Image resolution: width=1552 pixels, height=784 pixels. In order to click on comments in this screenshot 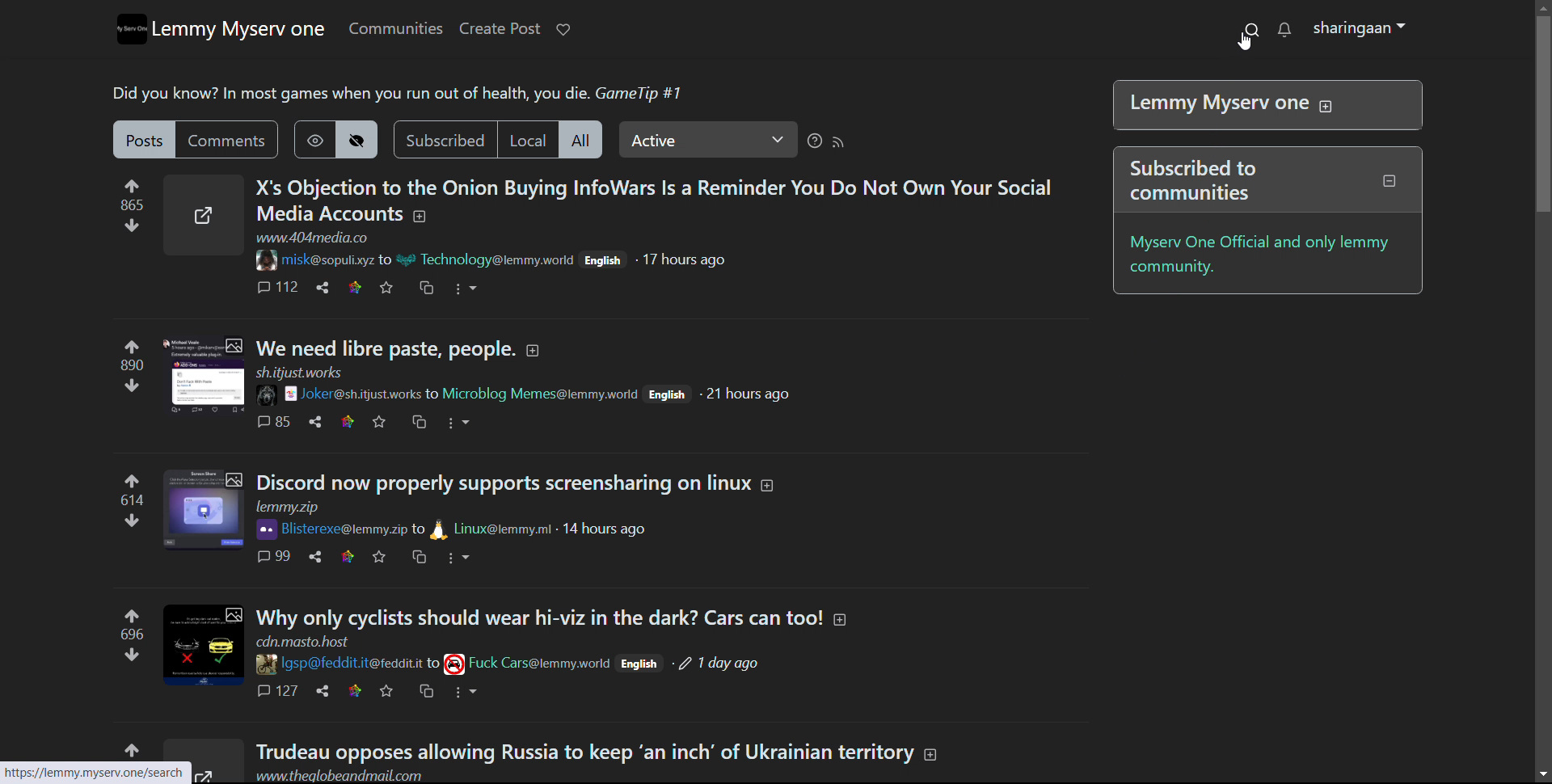, I will do `click(276, 421)`.